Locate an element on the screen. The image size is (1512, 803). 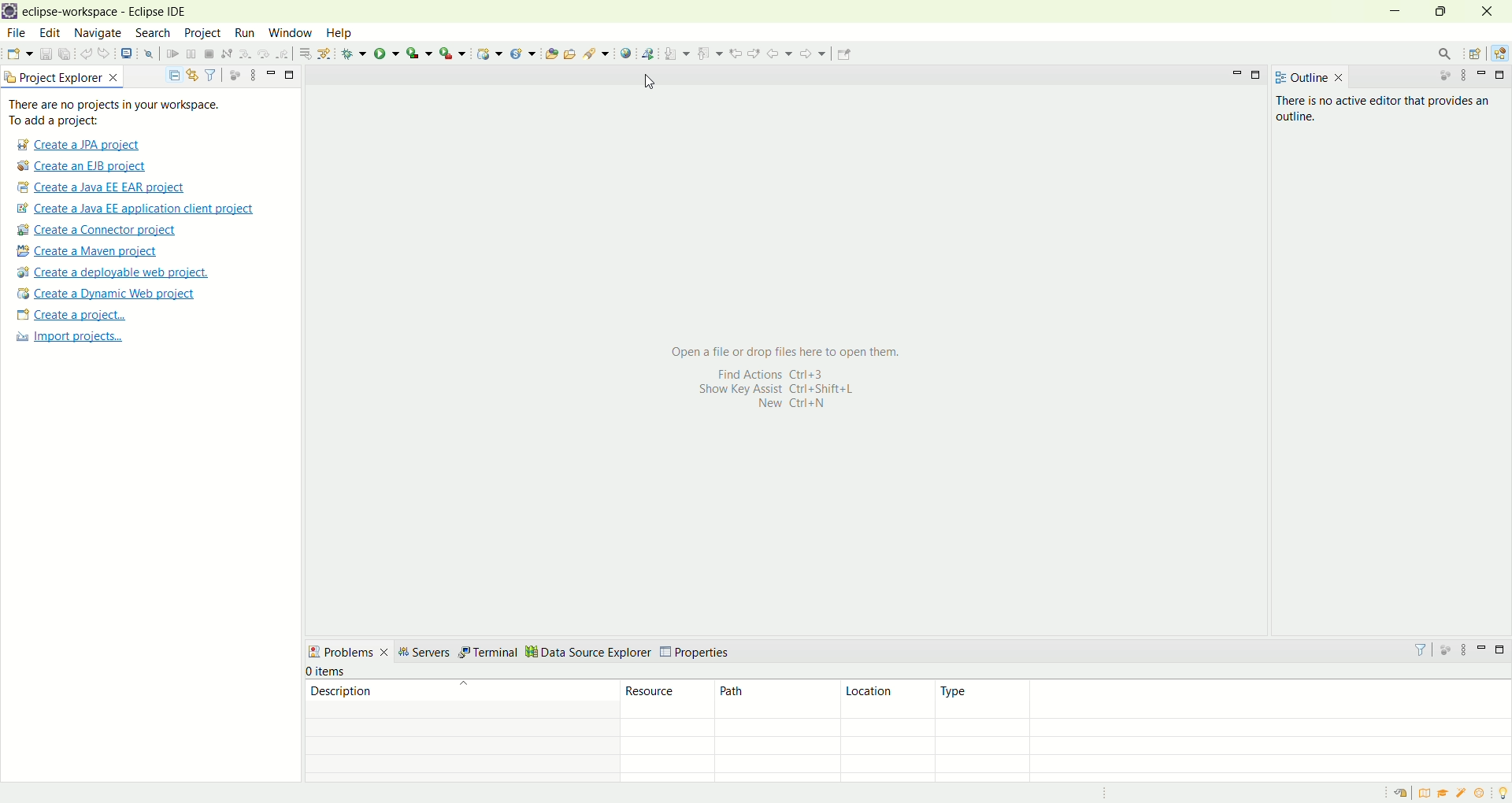
file is located at coordinates (15, 34).